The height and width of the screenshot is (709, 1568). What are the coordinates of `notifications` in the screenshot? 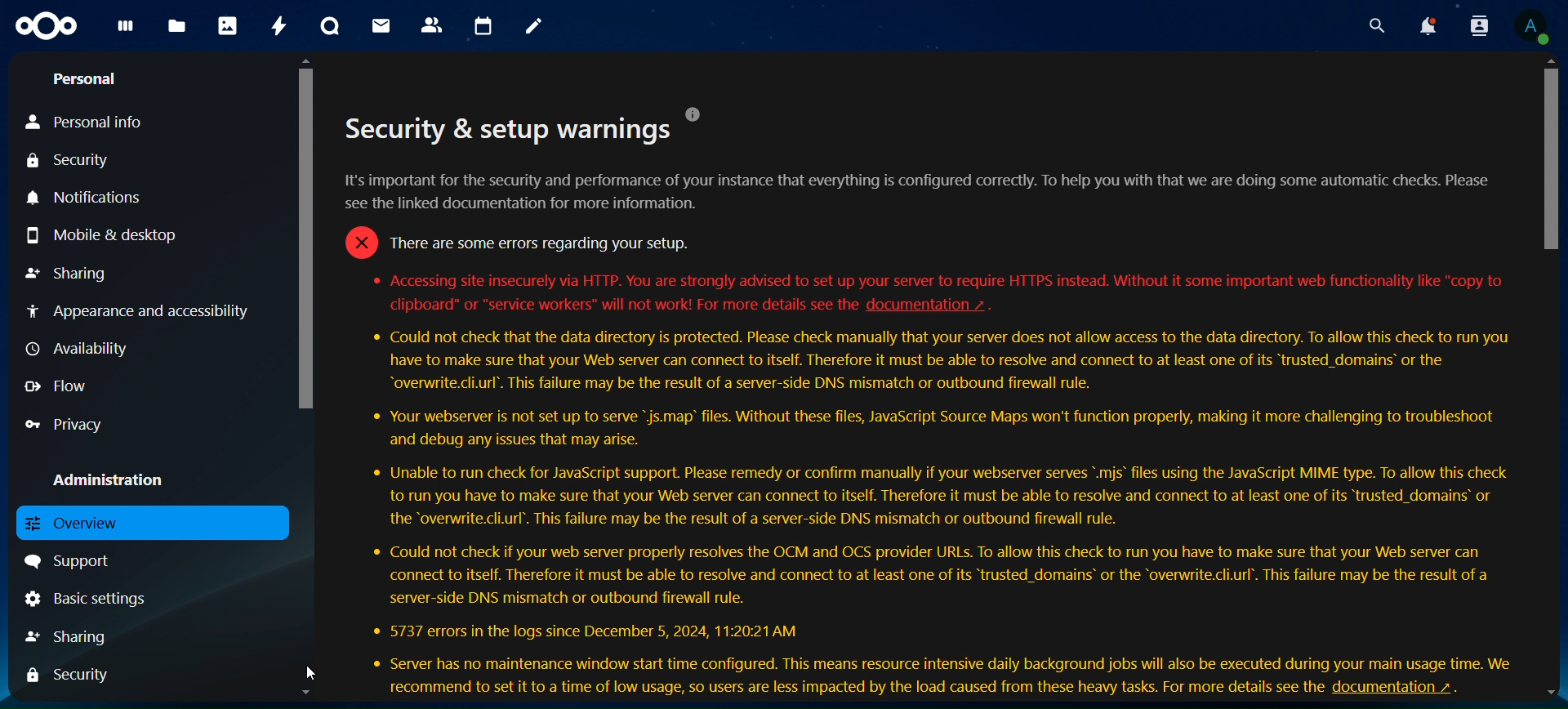 It's located at (91, 197).